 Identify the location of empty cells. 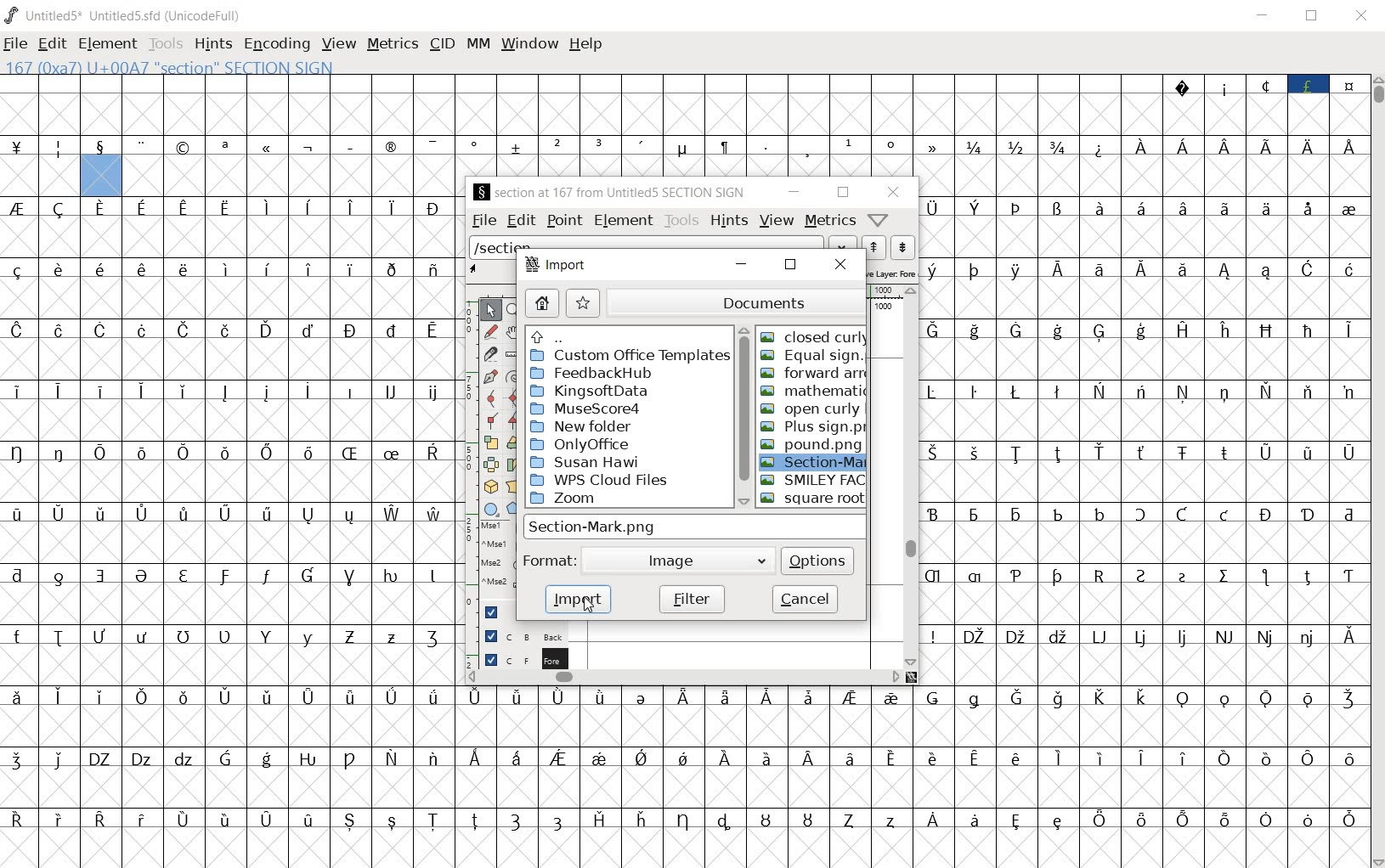
(229, 541).